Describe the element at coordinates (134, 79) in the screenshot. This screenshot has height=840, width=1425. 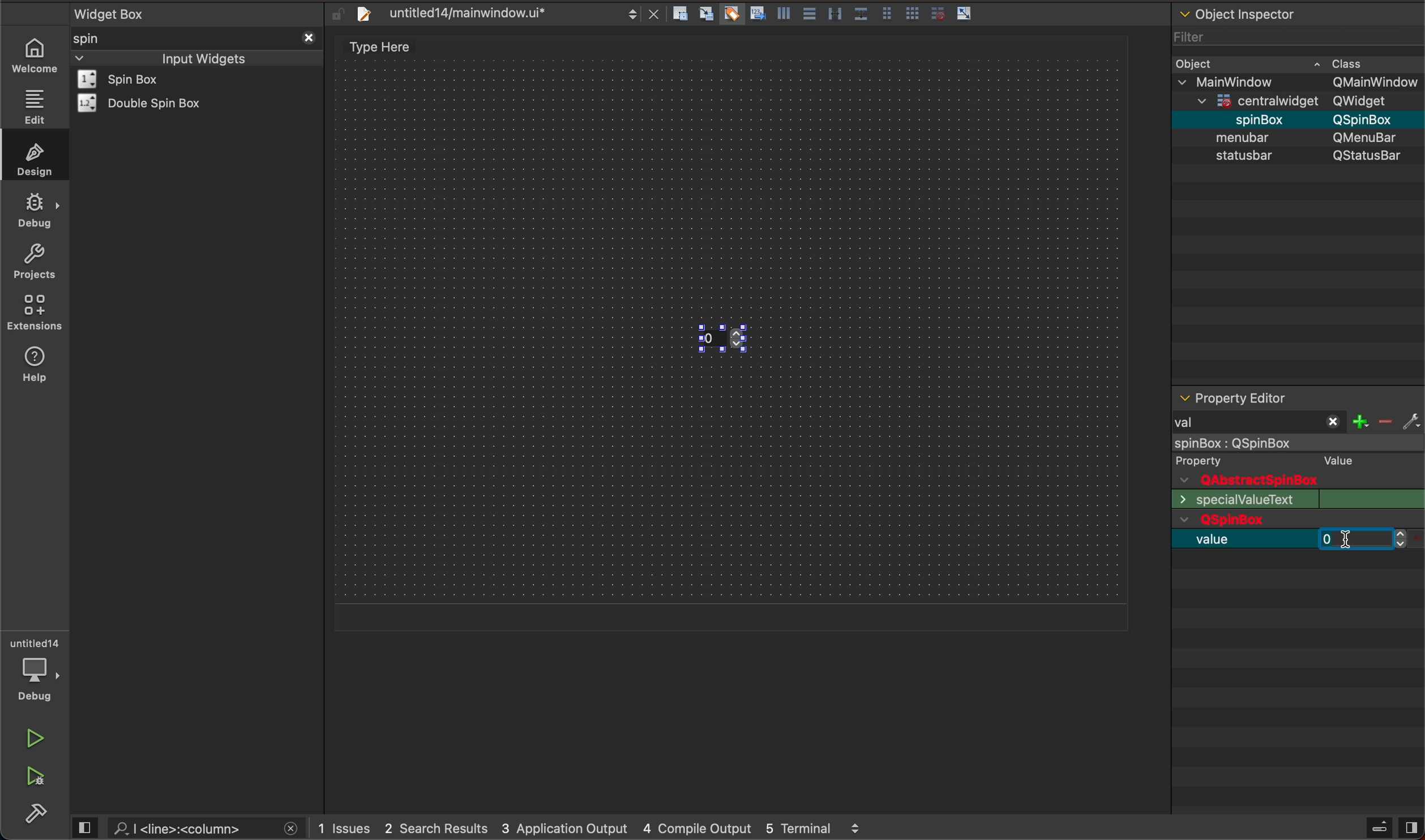
I see `widget` at that location.